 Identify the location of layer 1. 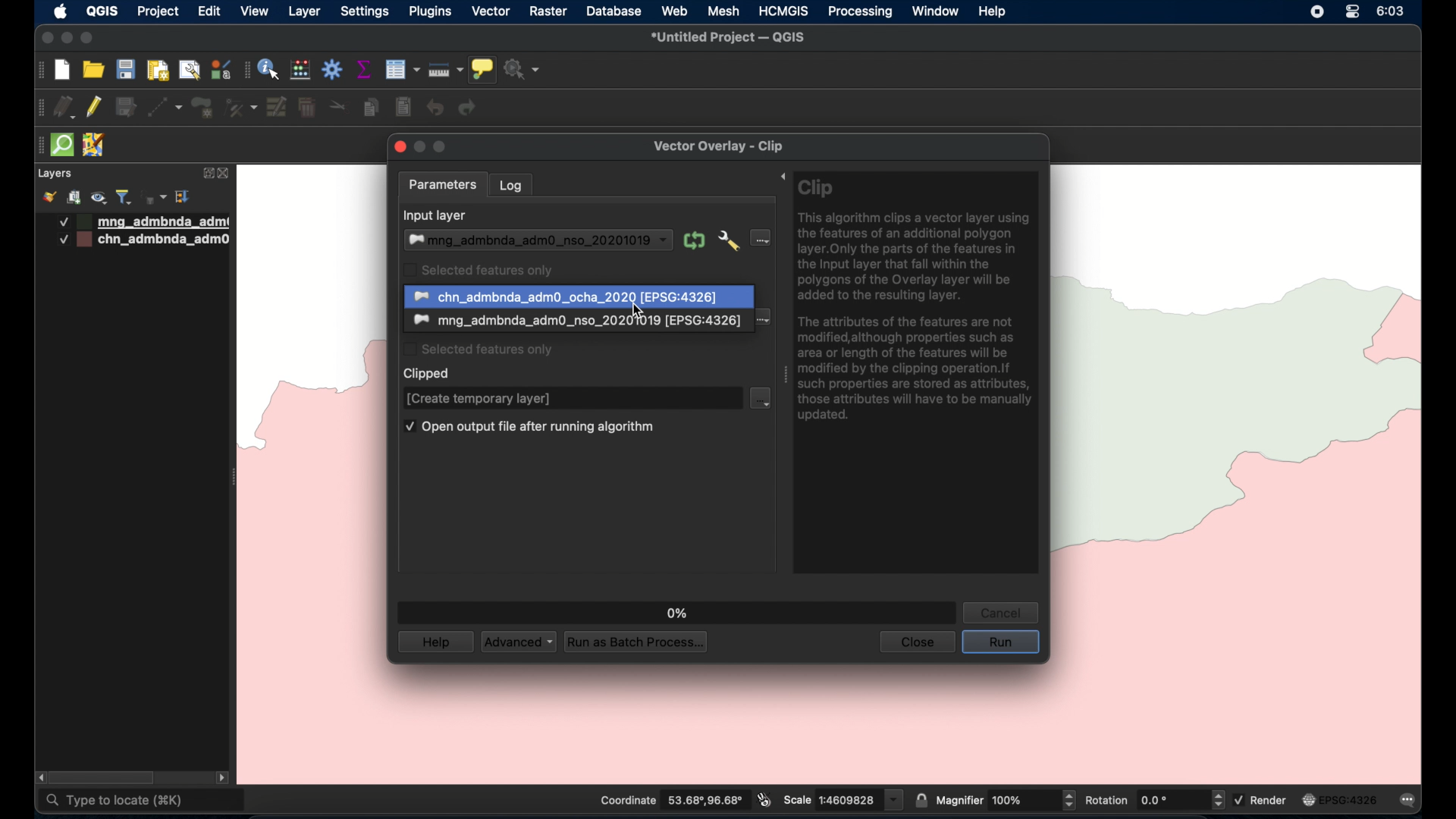
(145, 222).